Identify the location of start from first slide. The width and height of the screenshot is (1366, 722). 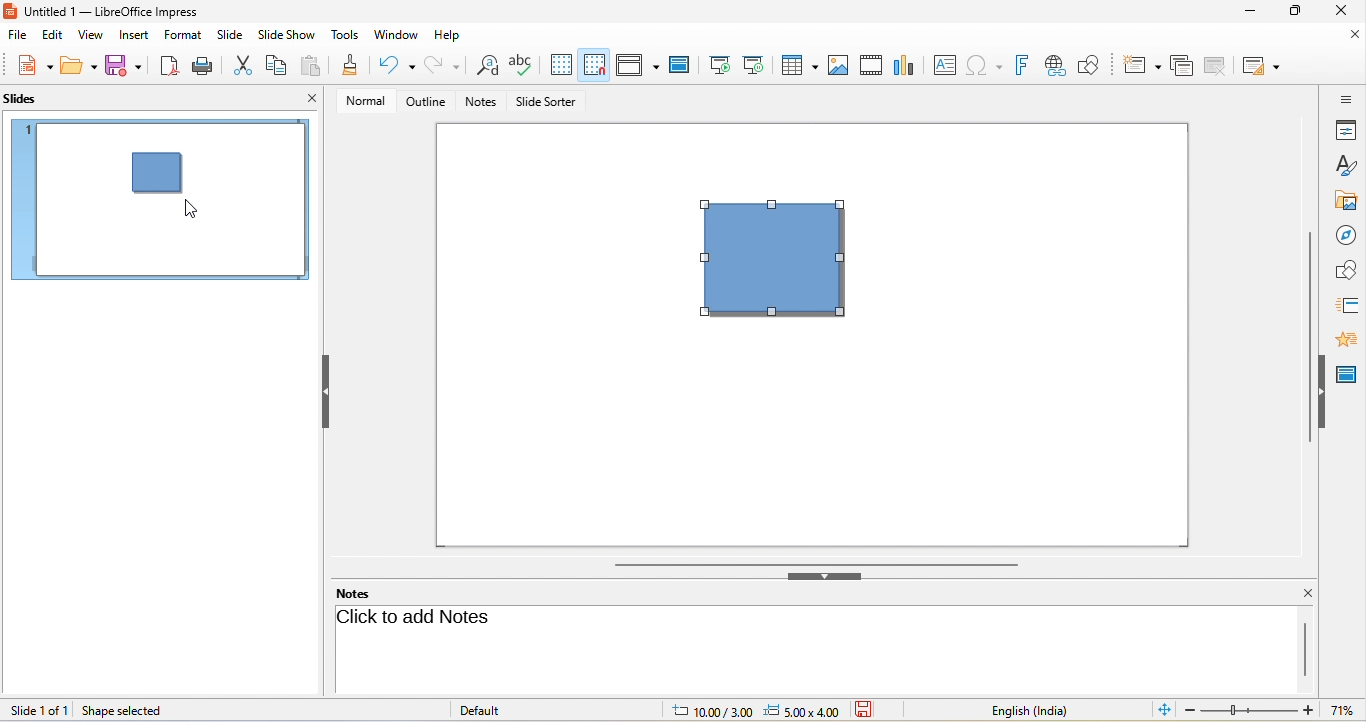
(720, 63).